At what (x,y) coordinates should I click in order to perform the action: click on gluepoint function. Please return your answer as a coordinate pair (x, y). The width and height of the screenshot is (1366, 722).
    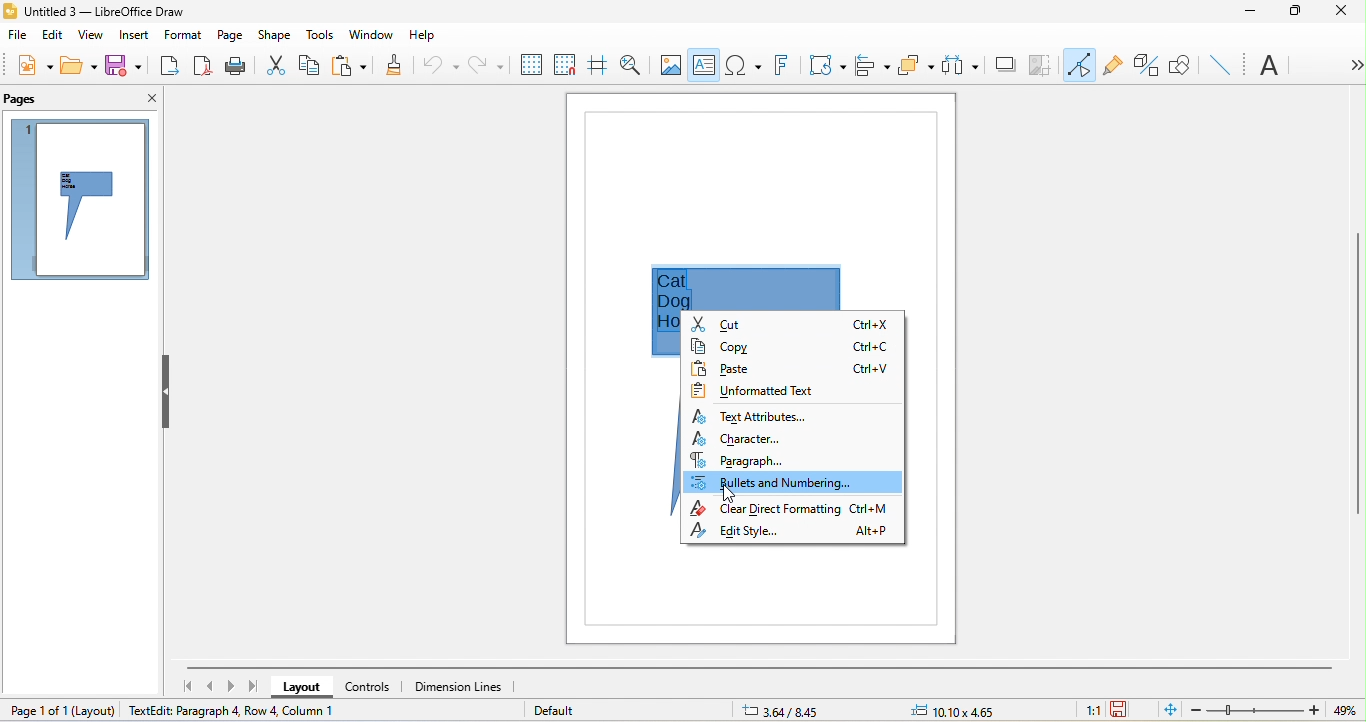
    Looking at the image, I should click on (1112, 68).